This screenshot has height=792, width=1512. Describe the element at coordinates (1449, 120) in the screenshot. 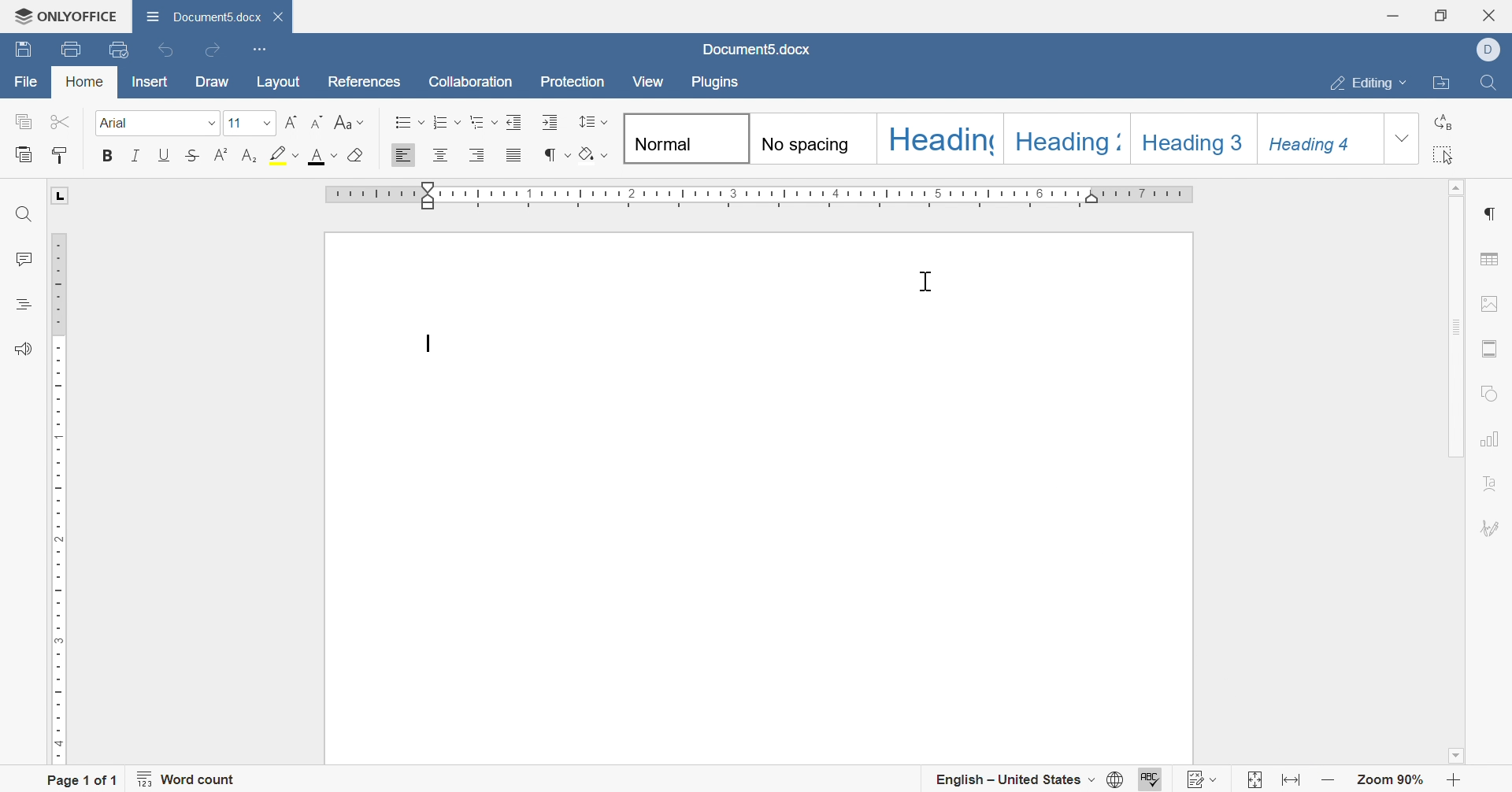

I see `replace` at that location.